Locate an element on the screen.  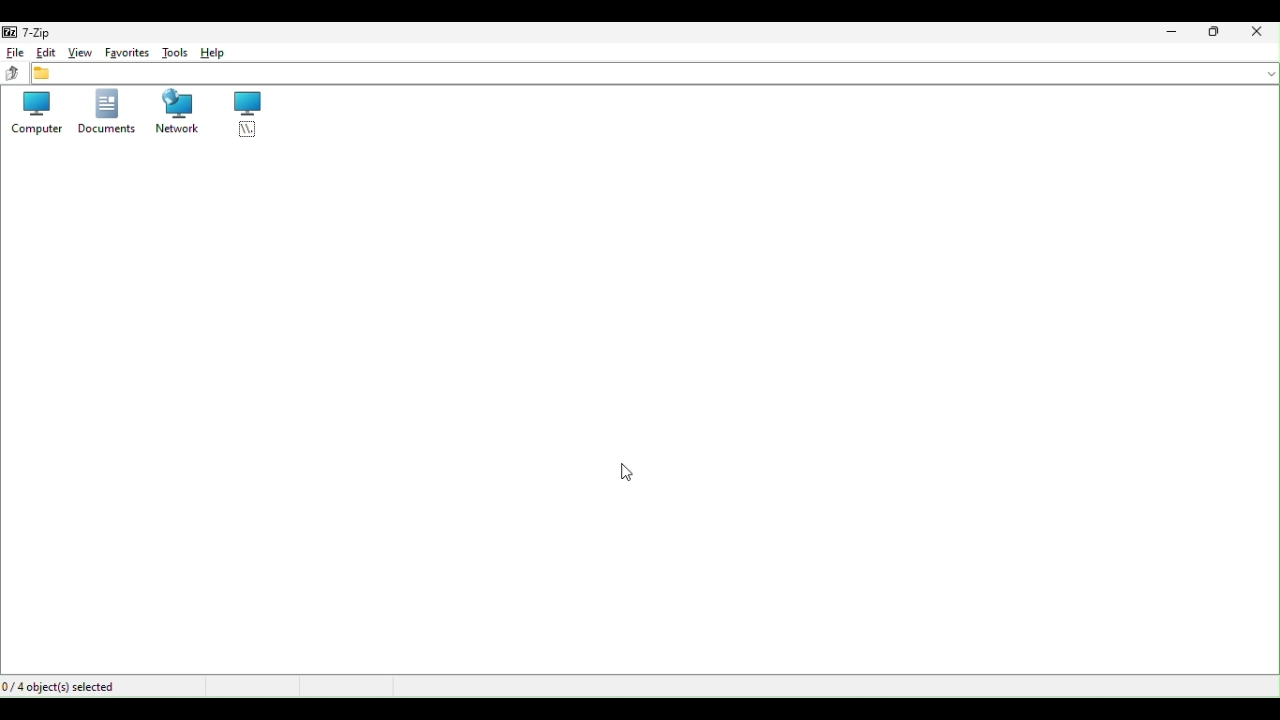
Documents is located at coordinates (105, 111).